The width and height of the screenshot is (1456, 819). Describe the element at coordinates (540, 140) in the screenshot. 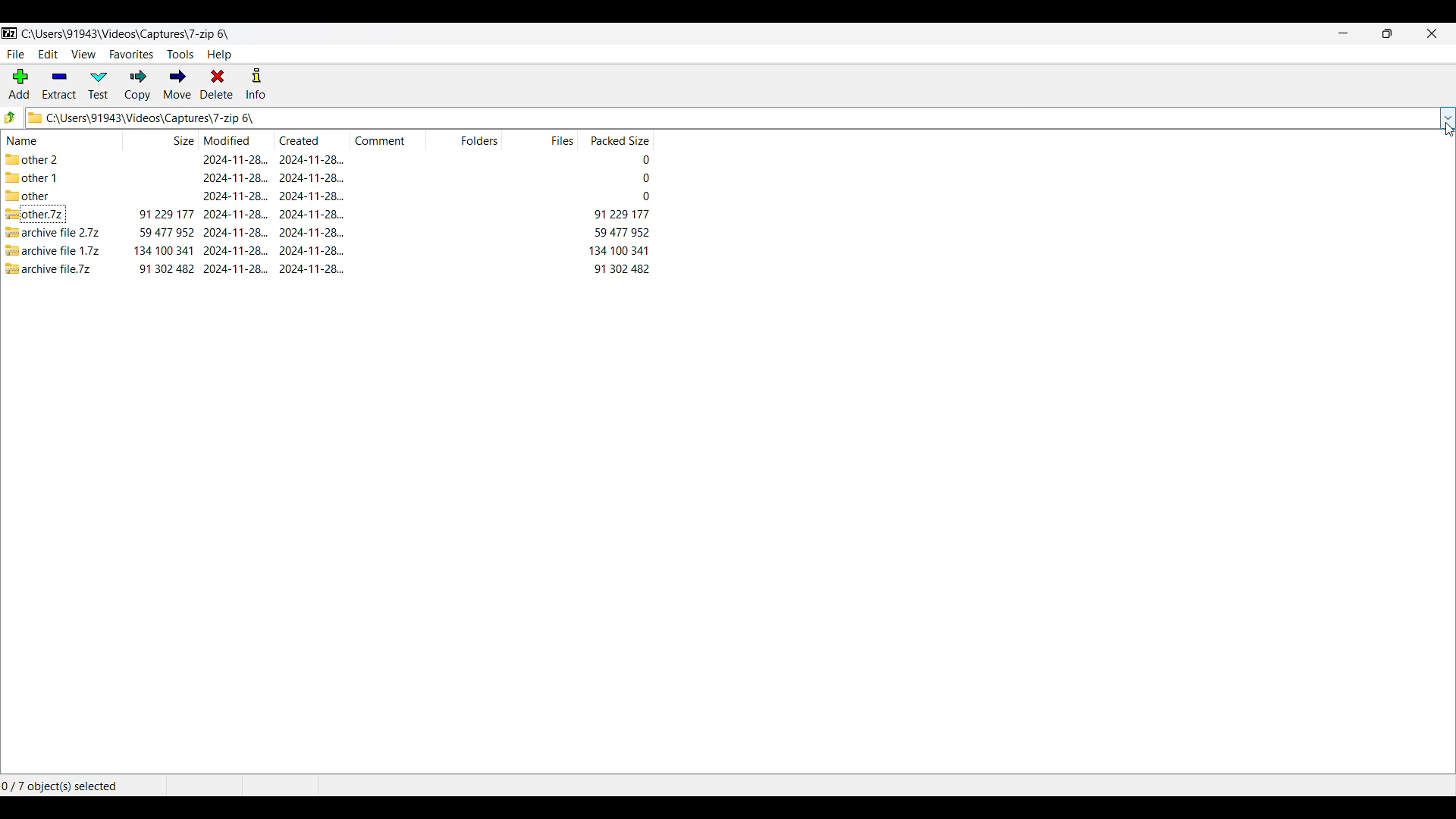

I see `Files column` at that location.